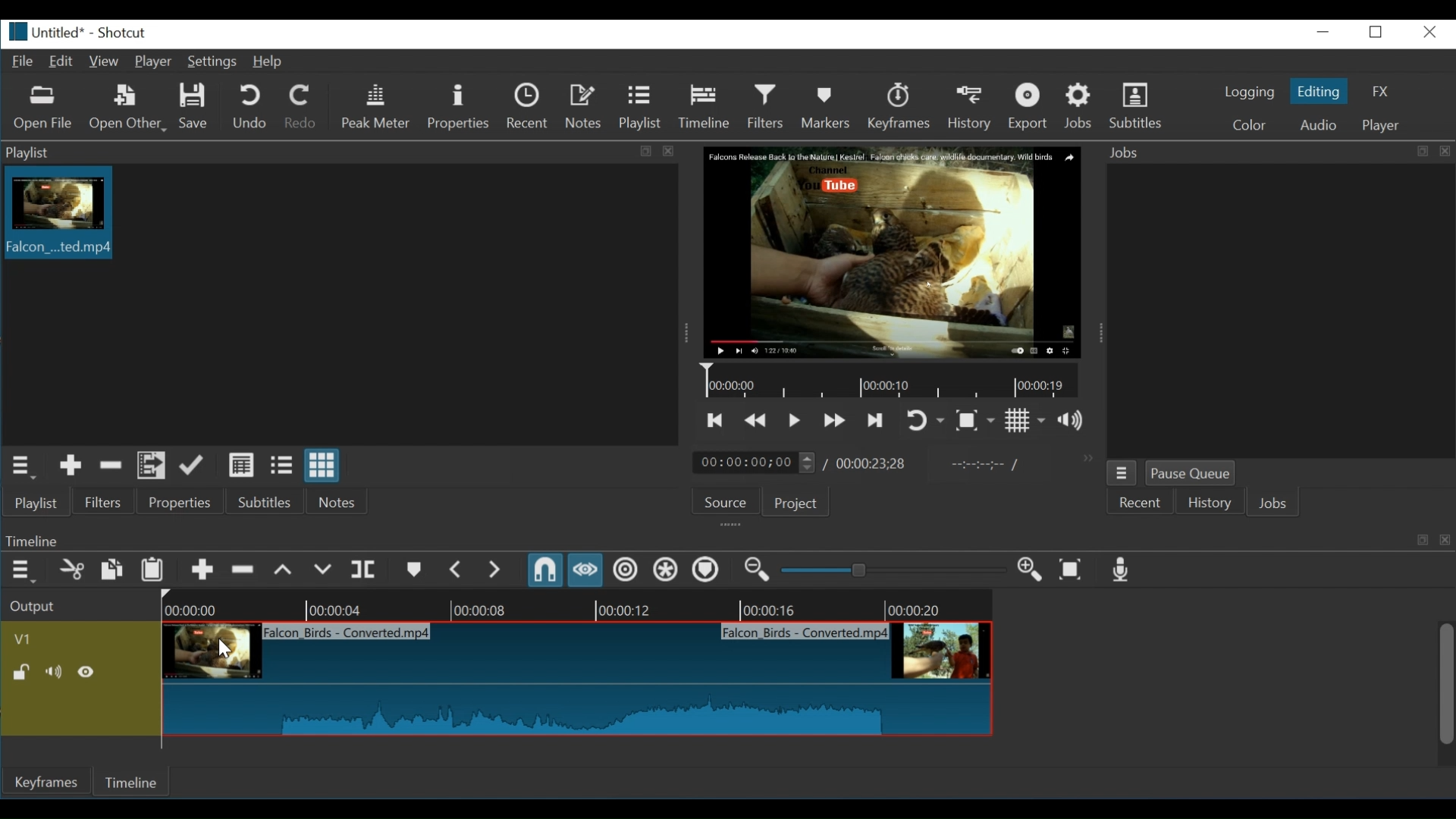  I want to click on Toggle grid display on the player, so click(1025, 421).